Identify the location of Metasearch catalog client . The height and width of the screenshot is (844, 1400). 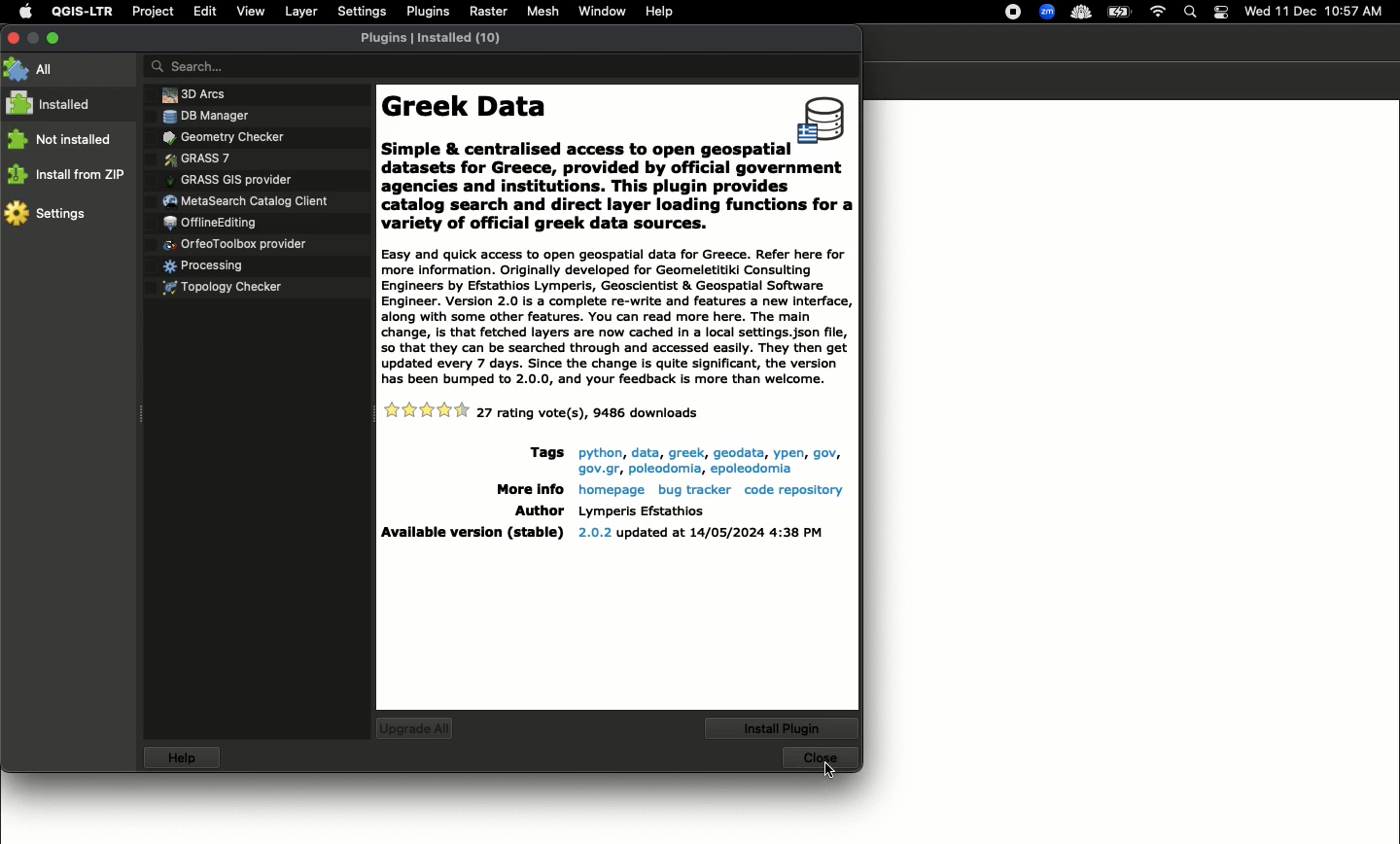
(247, 202).